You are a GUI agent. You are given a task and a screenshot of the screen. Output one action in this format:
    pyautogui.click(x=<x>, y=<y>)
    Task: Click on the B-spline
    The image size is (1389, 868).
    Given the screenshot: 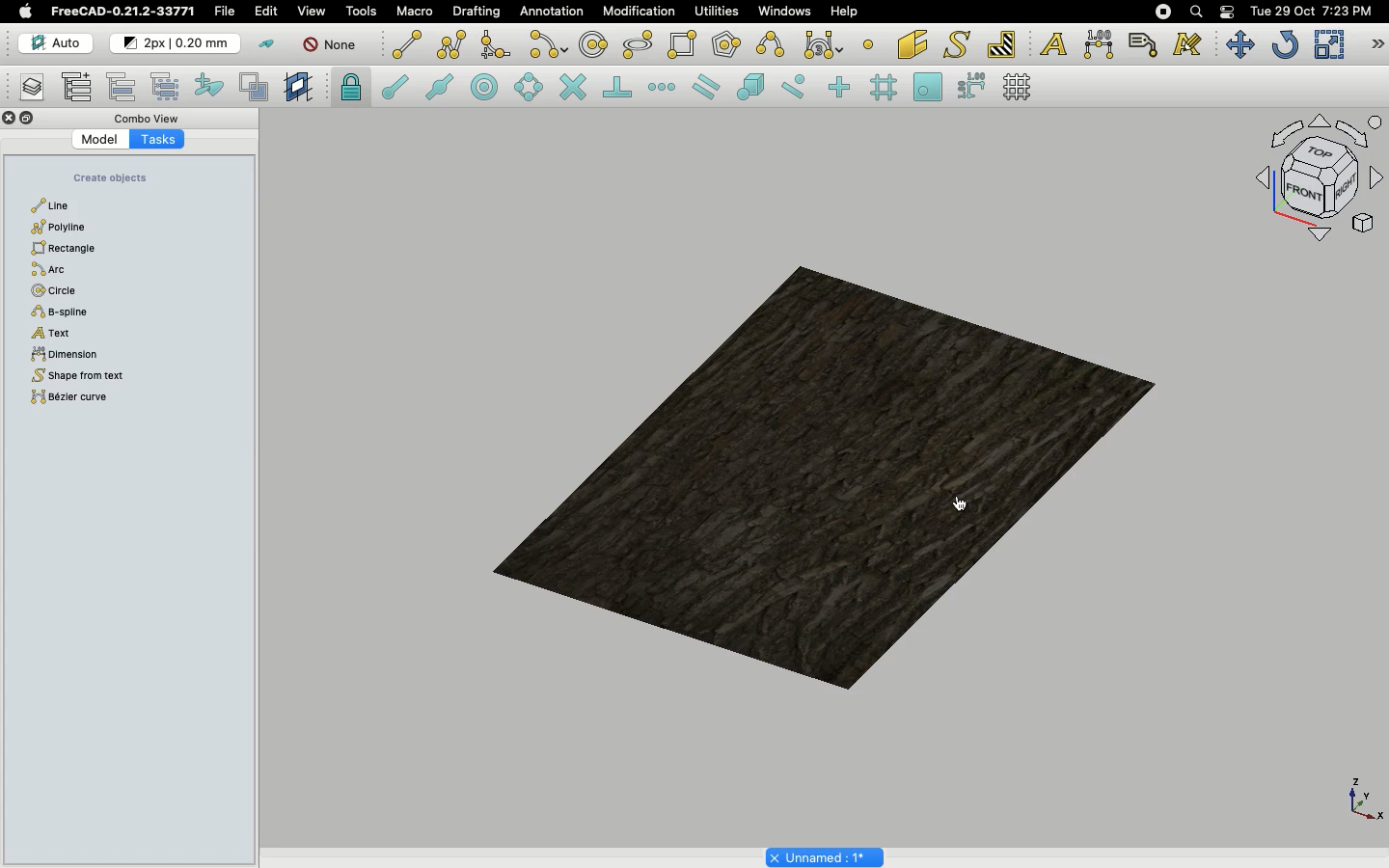 What is the action you would take?
    pyautogui.click(x=60, y=311)
    